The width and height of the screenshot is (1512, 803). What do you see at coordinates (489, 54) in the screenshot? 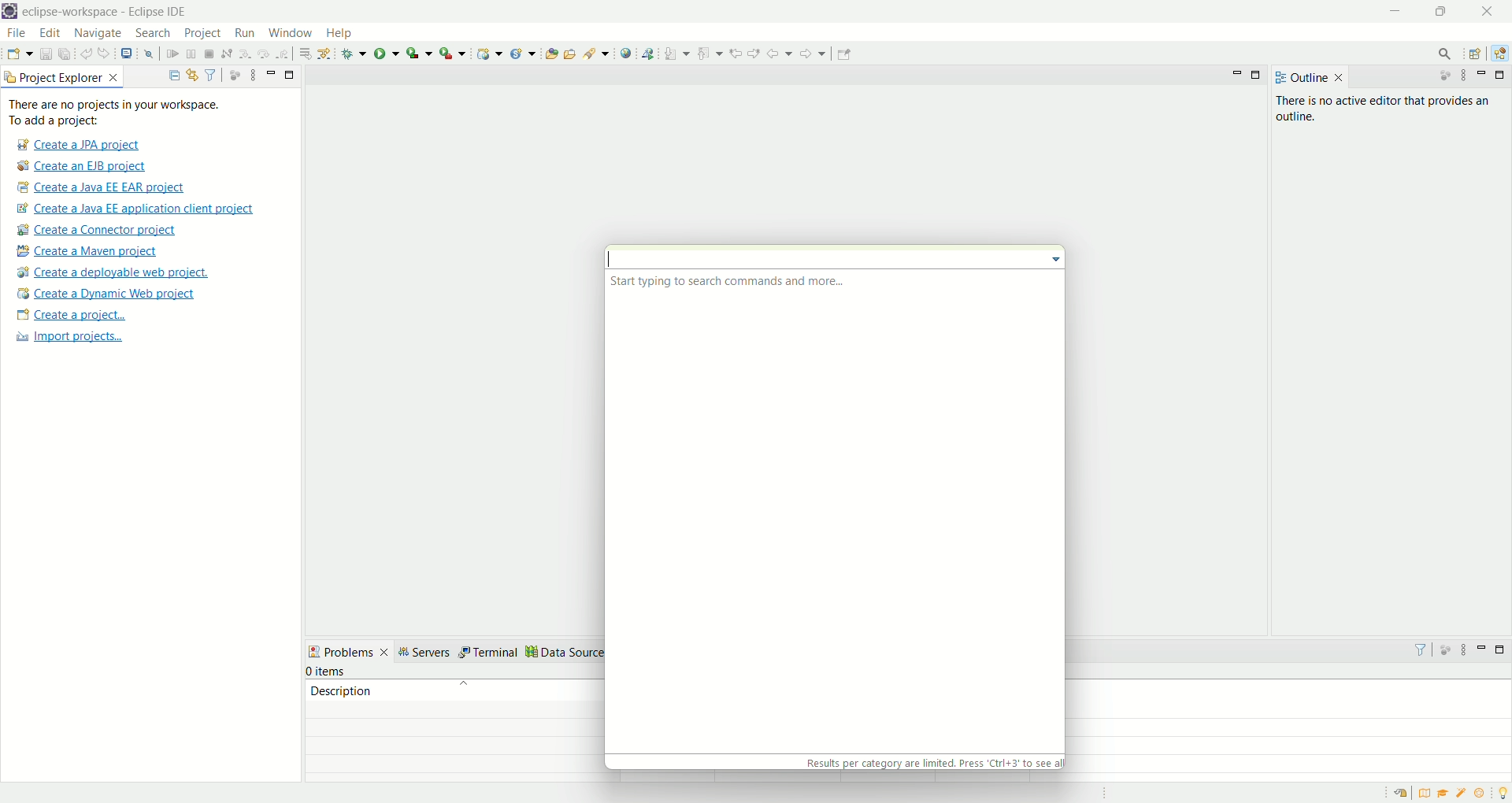
I see `create a dynamic web project` at bounding box center [489, 54].